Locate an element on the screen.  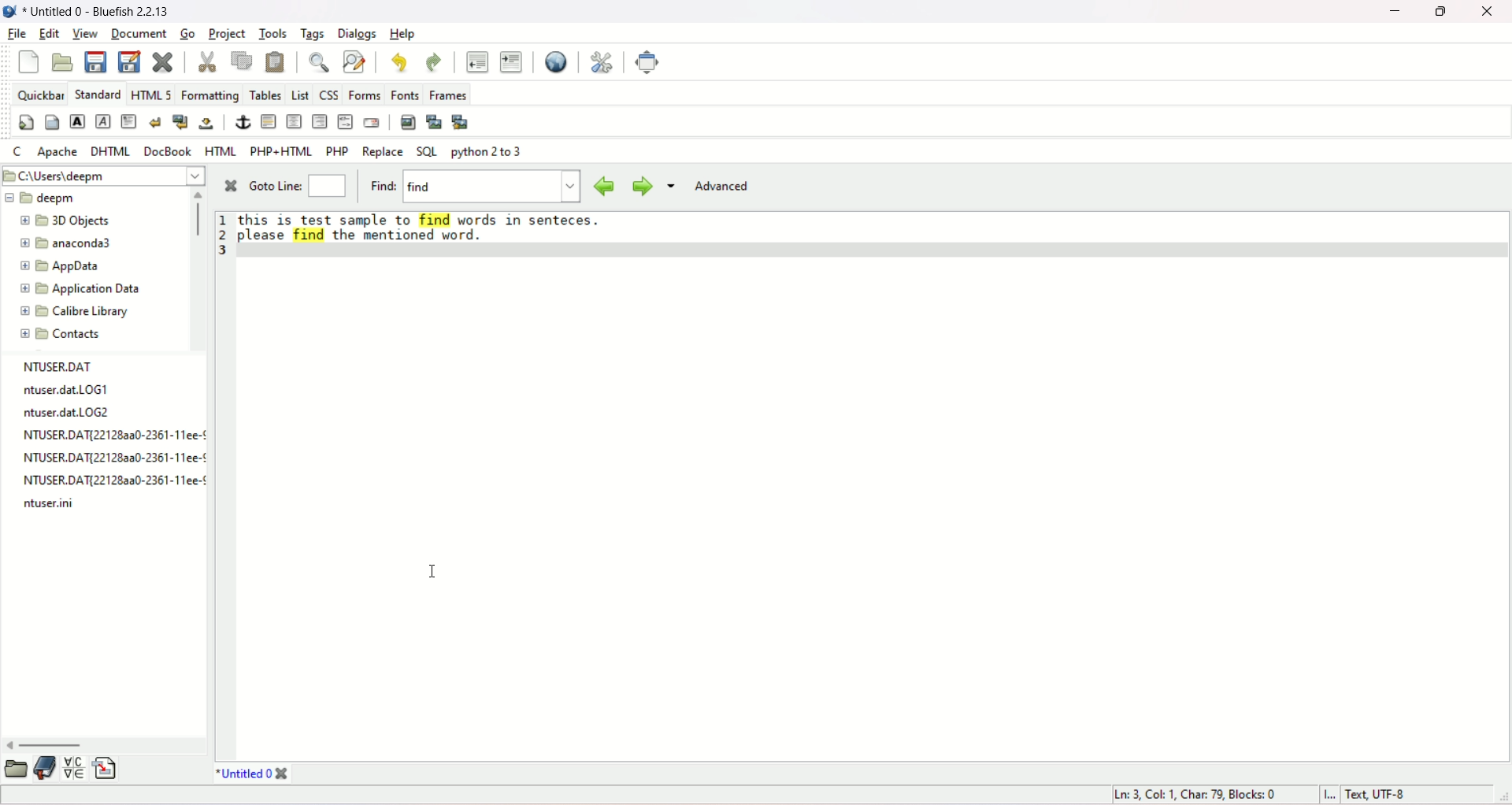
edit is located at coordinates (50, 33).